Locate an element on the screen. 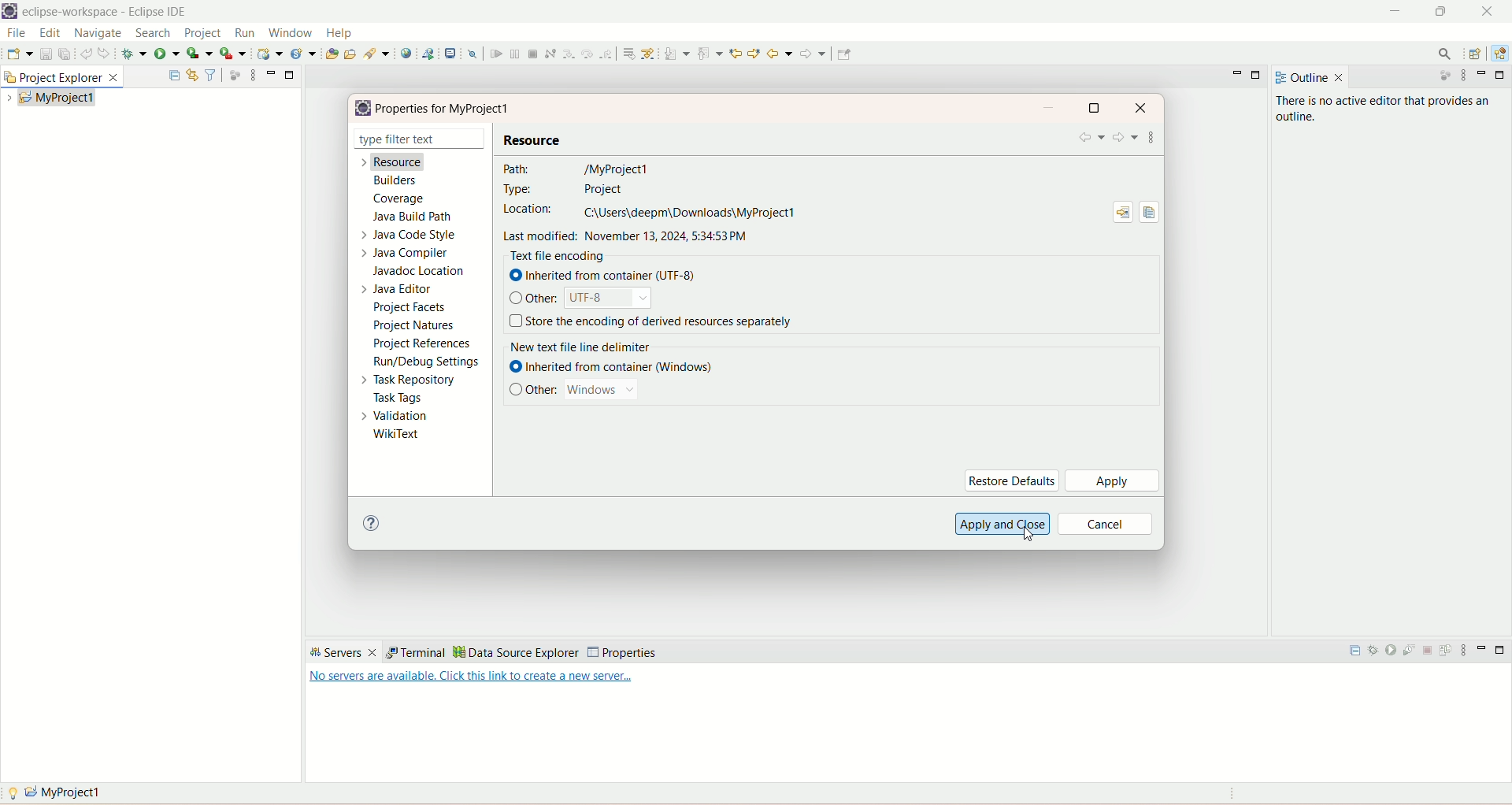 This screenshot has height=805, width=1512. project is located at coordinates (204, 33).